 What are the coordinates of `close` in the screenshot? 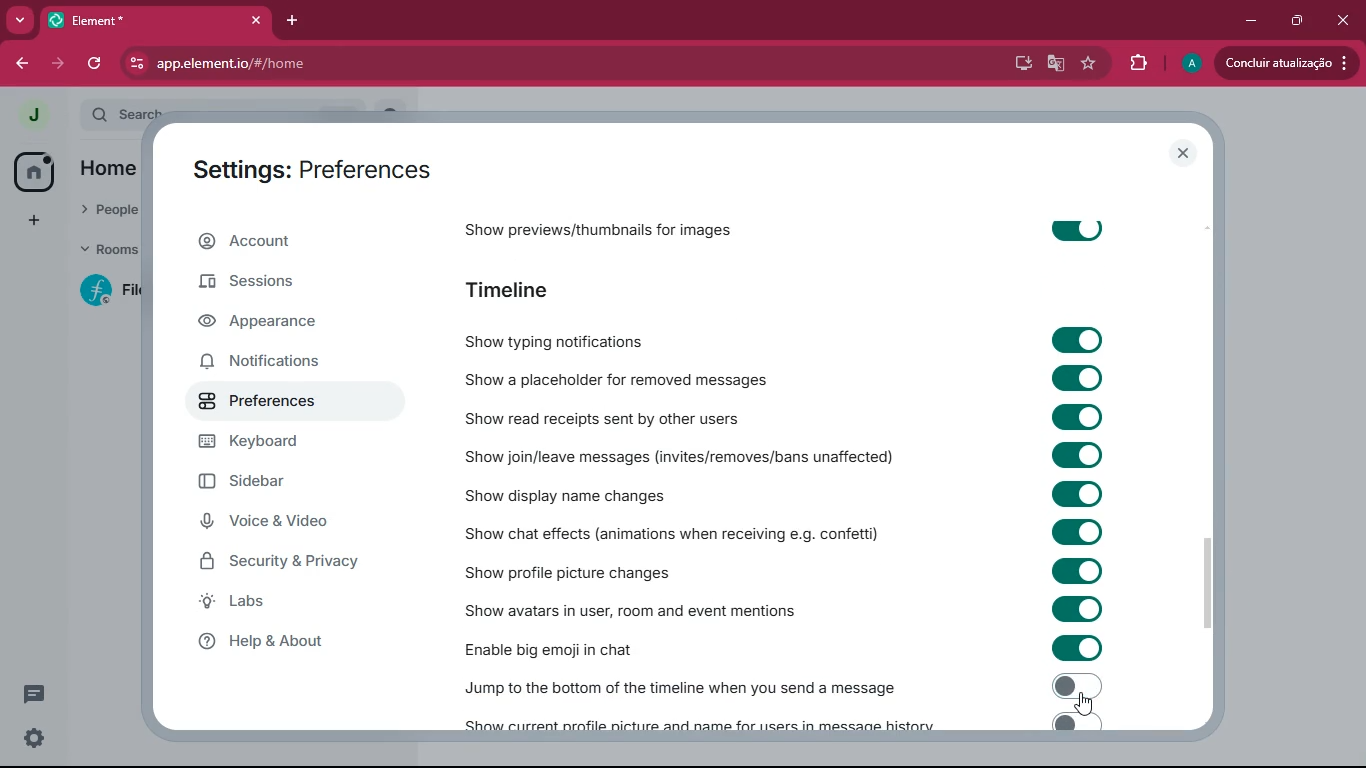 It's located at (1182, 151).